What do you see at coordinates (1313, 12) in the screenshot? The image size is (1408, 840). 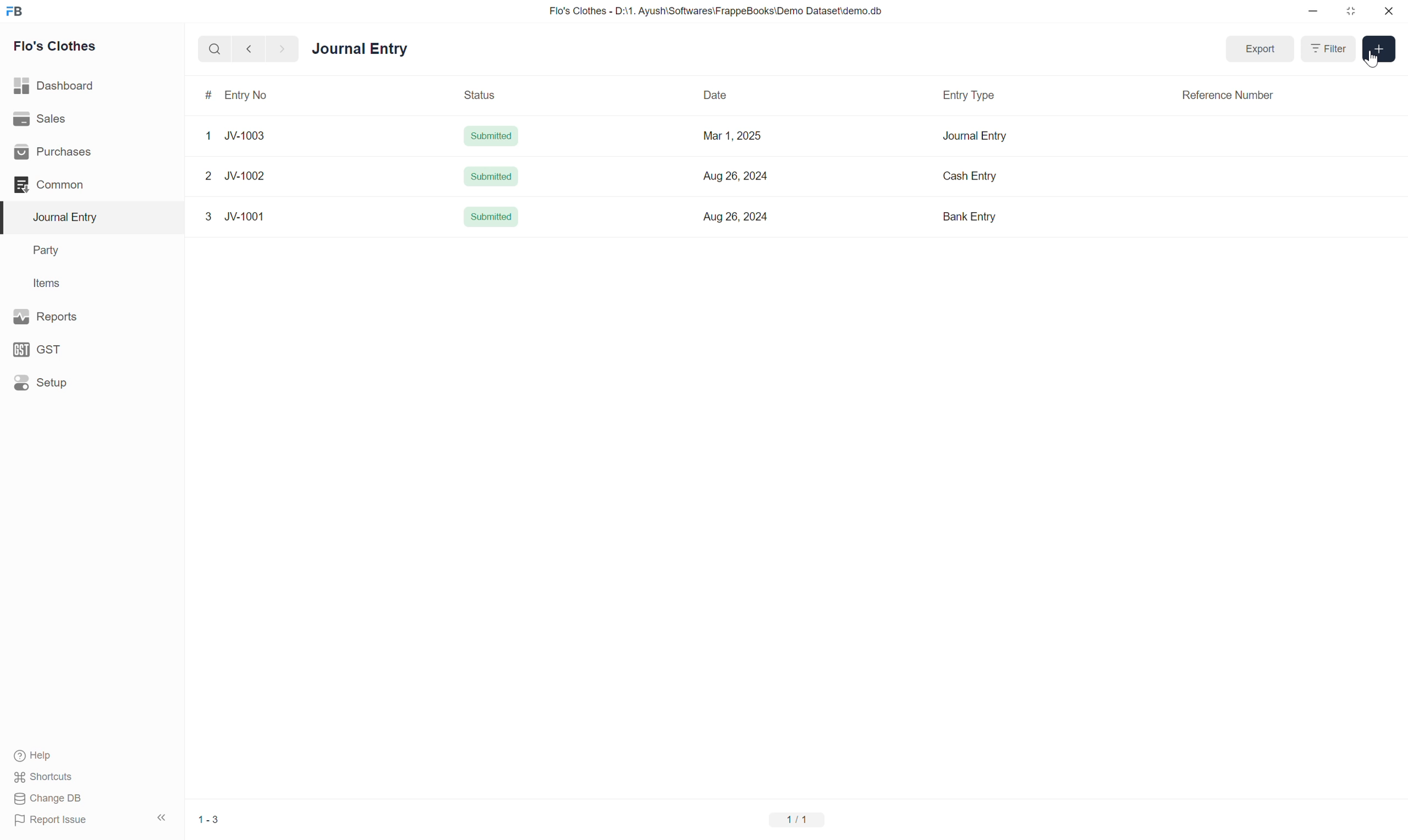 I see `minimize` at bounding box center [1313, 12].